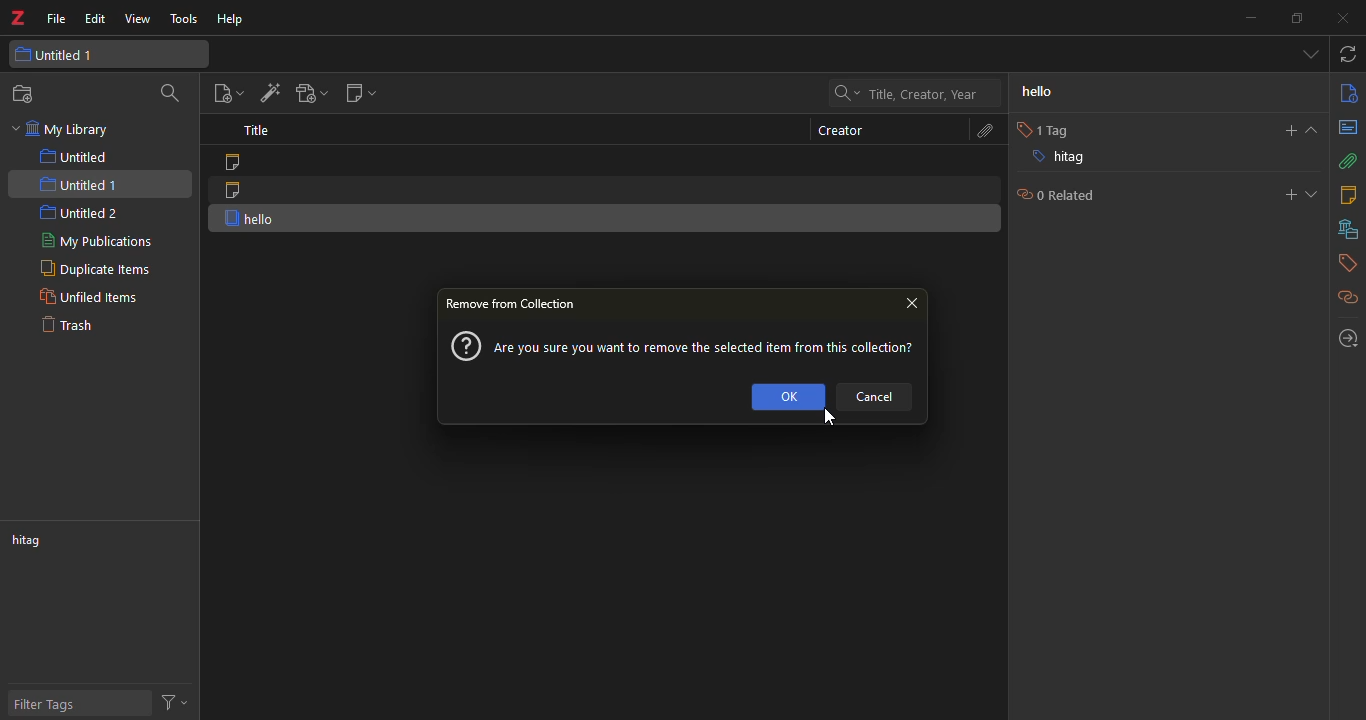  Describe the element at coordinates (306, 92) in the screenshot. I see `add attachment` at that location.